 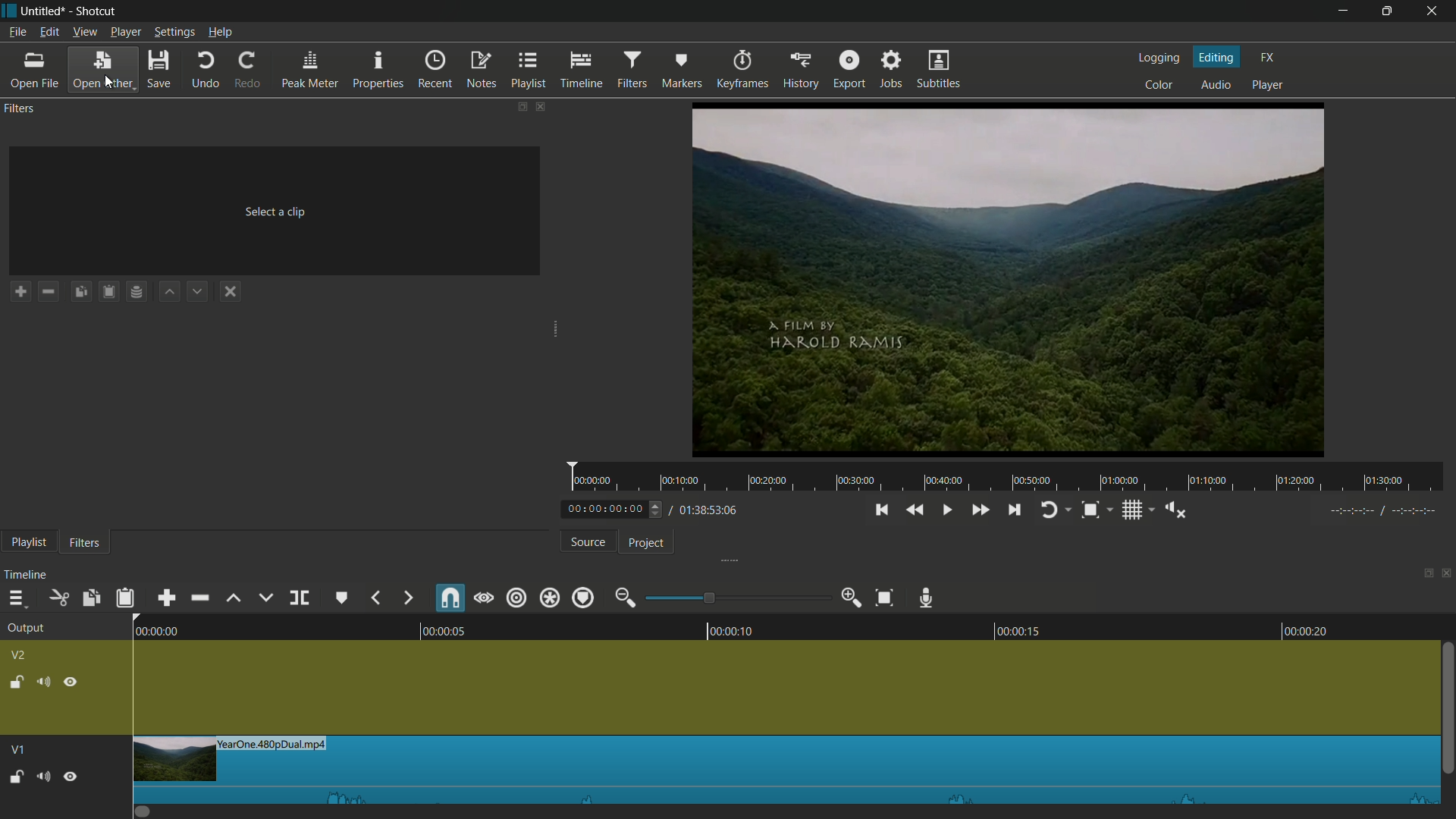 I want to click on 00:00:00, so click(x=148, y=629).